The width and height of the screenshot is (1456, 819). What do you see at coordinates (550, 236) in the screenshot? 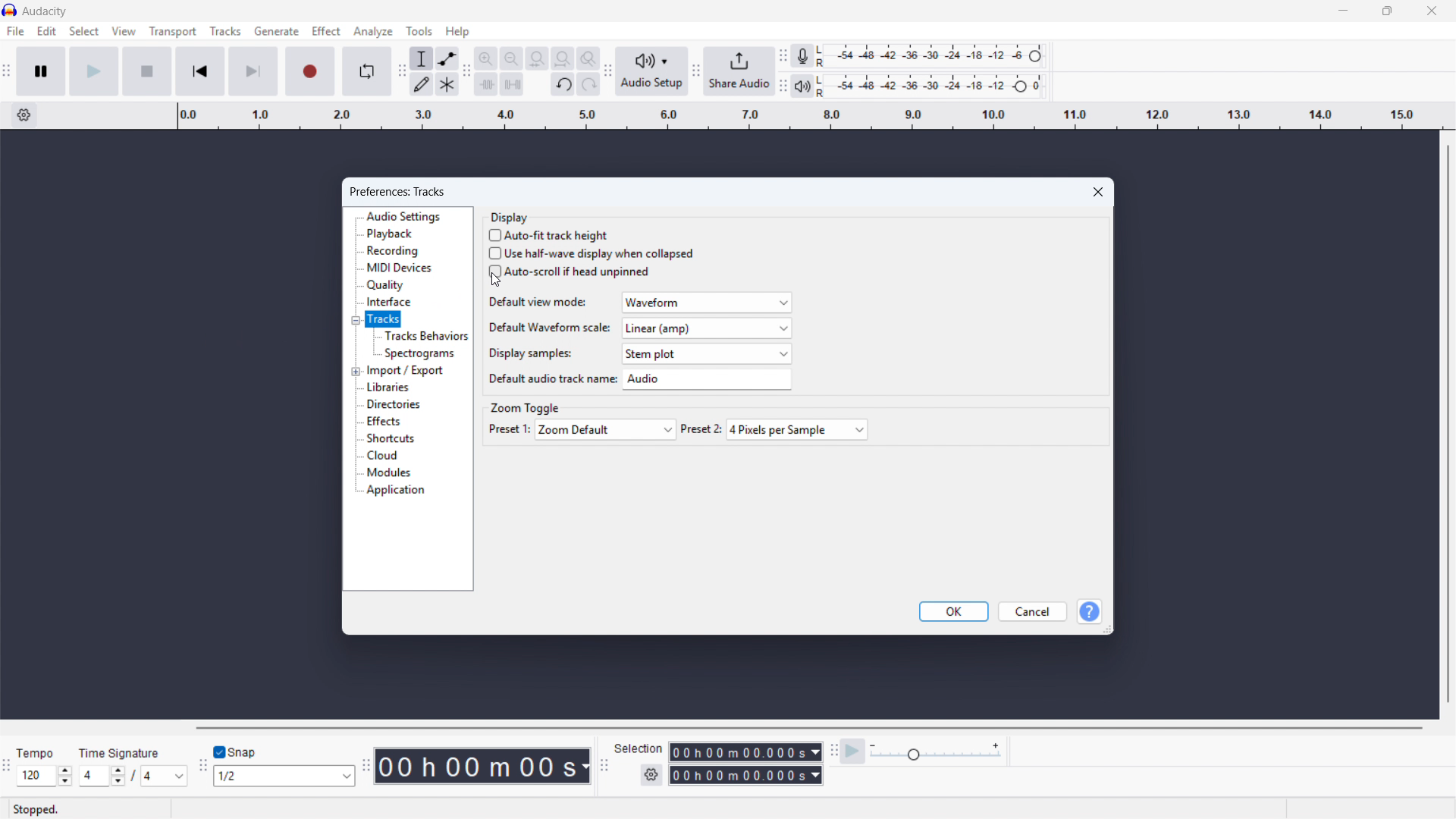
I see `auto-fit track height` at bounding box center [550, 236].